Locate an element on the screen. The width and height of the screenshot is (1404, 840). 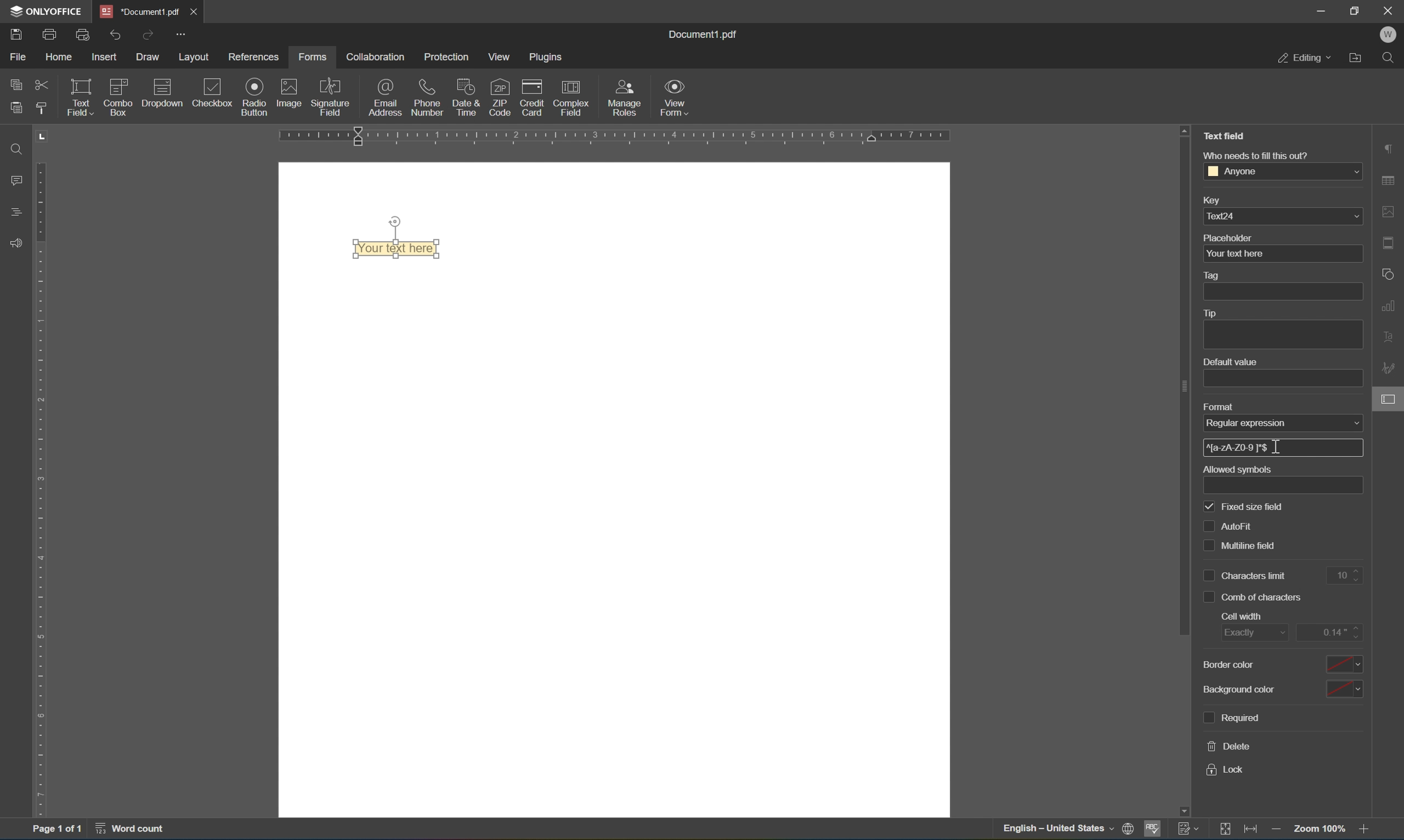
manage roles is located at coordinates (627, 98).